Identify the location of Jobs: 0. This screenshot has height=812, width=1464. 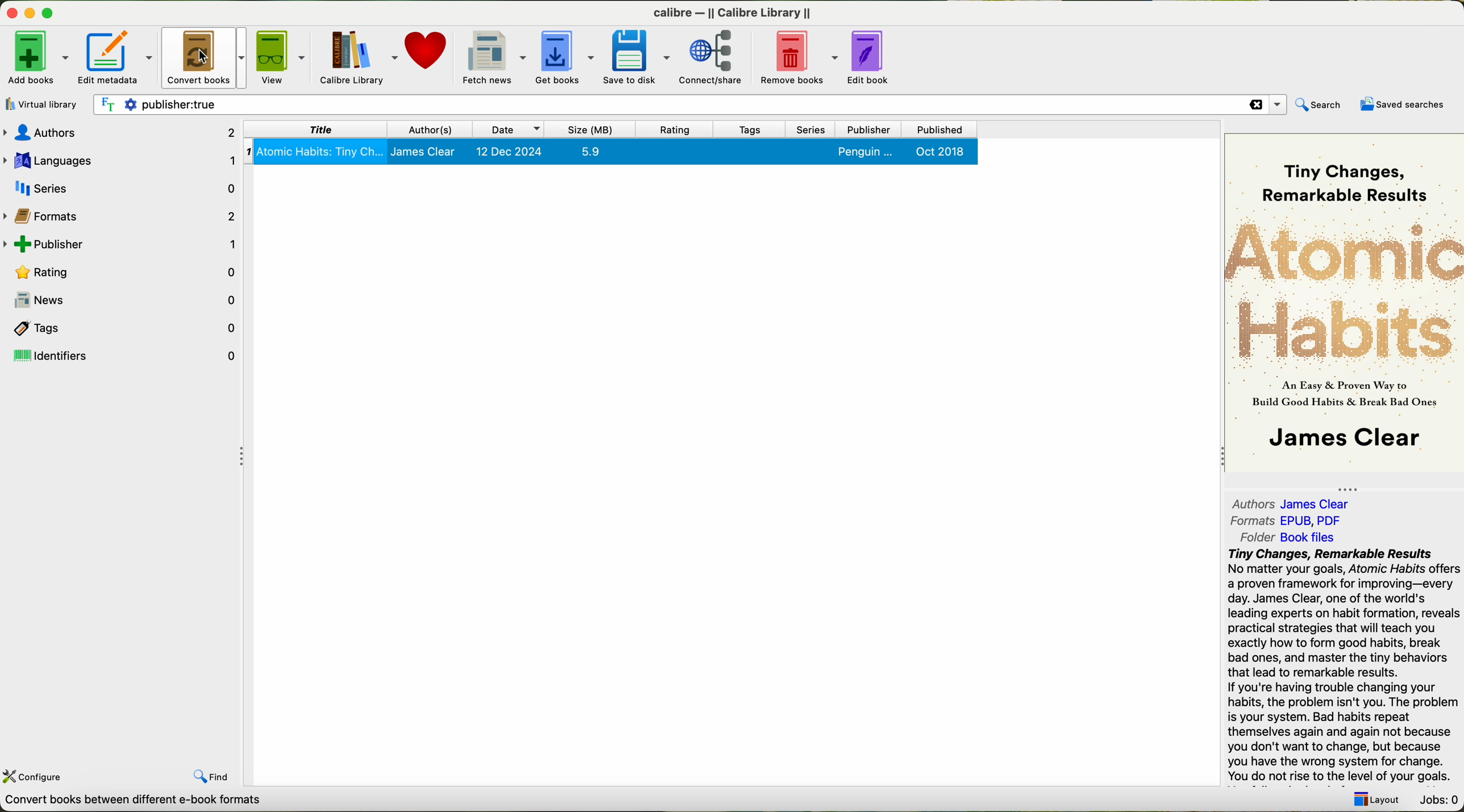
(1438, 801).